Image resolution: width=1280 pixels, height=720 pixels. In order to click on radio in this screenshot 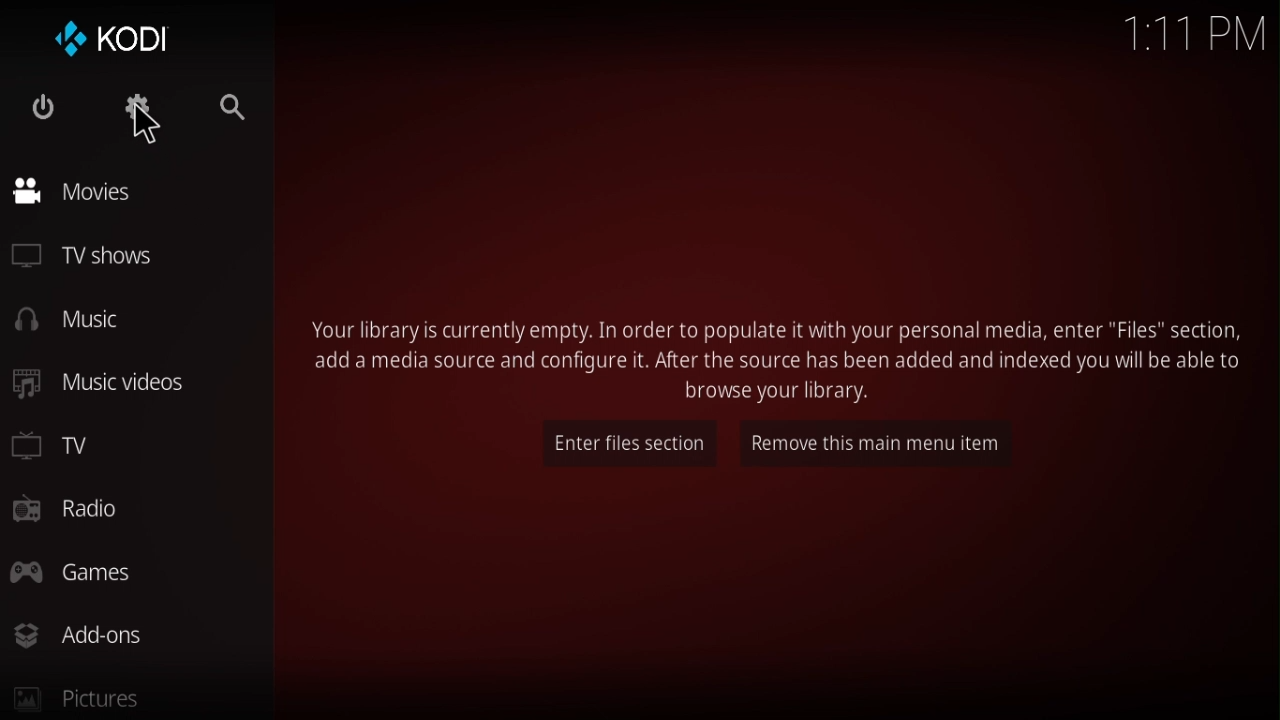, I will do `click(69, 511)`.